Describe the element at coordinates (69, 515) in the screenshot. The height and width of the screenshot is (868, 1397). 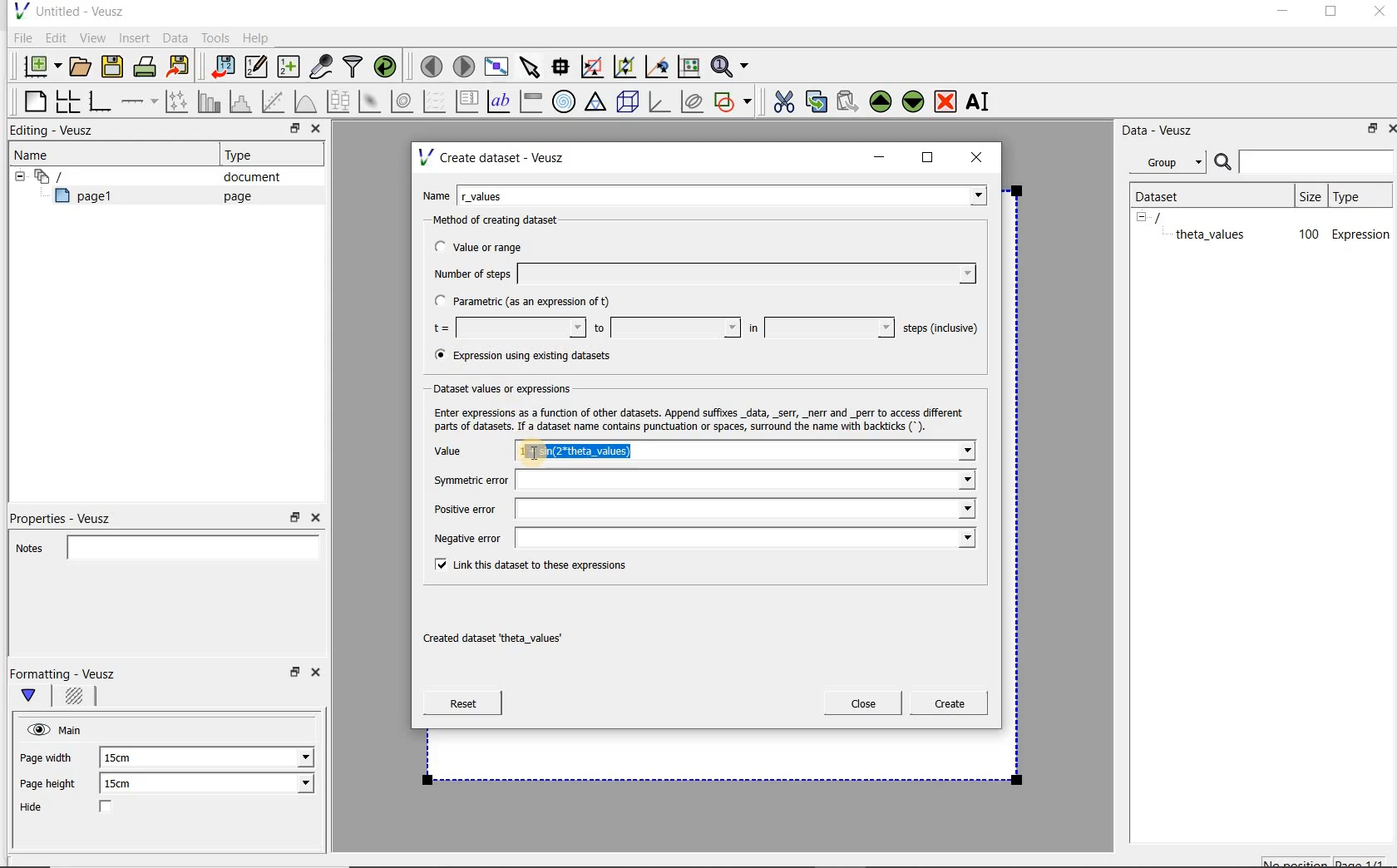
I see `Properties - Veusz` at that location.